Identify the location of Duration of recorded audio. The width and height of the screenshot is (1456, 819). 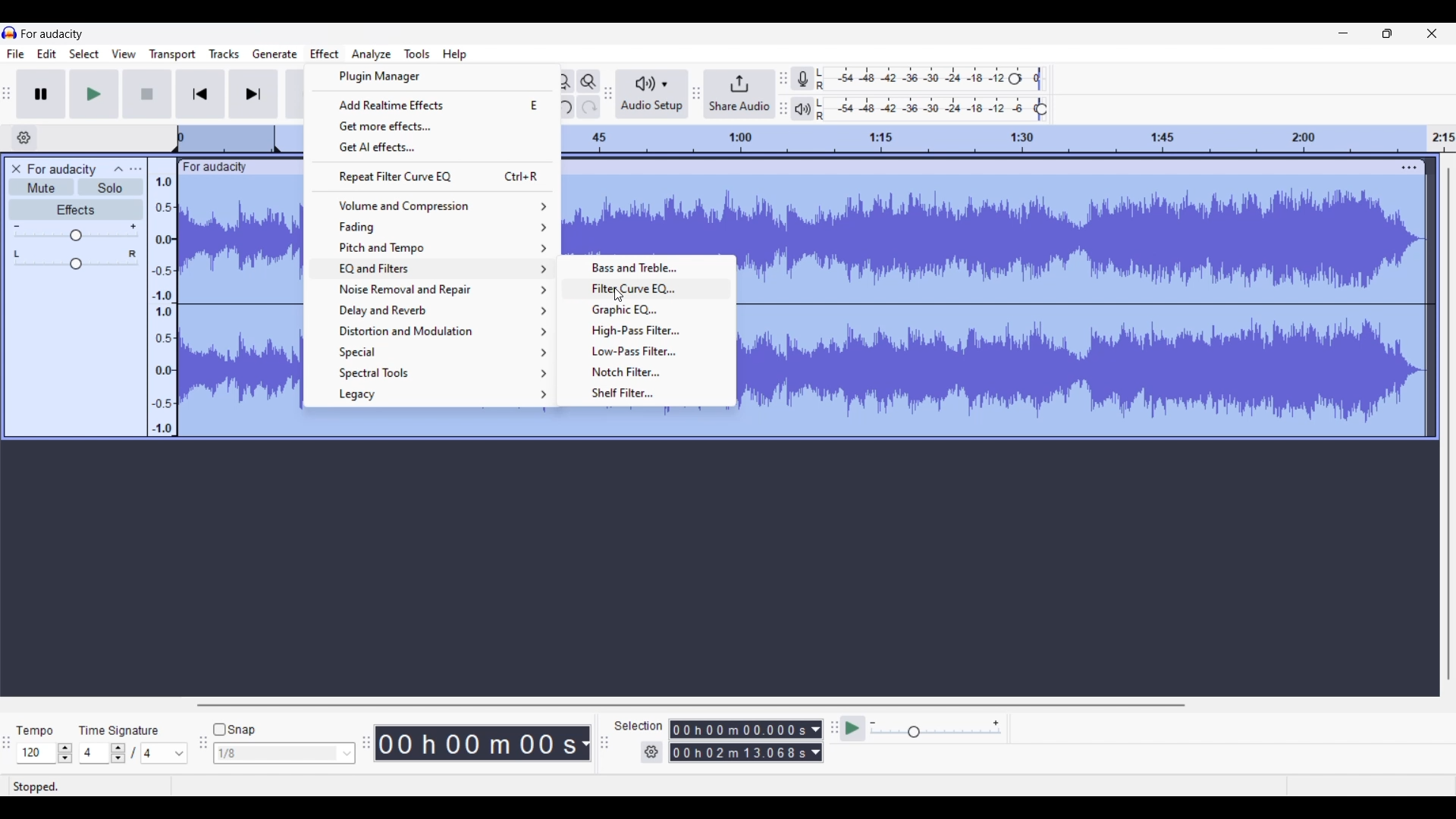
(478, 744).